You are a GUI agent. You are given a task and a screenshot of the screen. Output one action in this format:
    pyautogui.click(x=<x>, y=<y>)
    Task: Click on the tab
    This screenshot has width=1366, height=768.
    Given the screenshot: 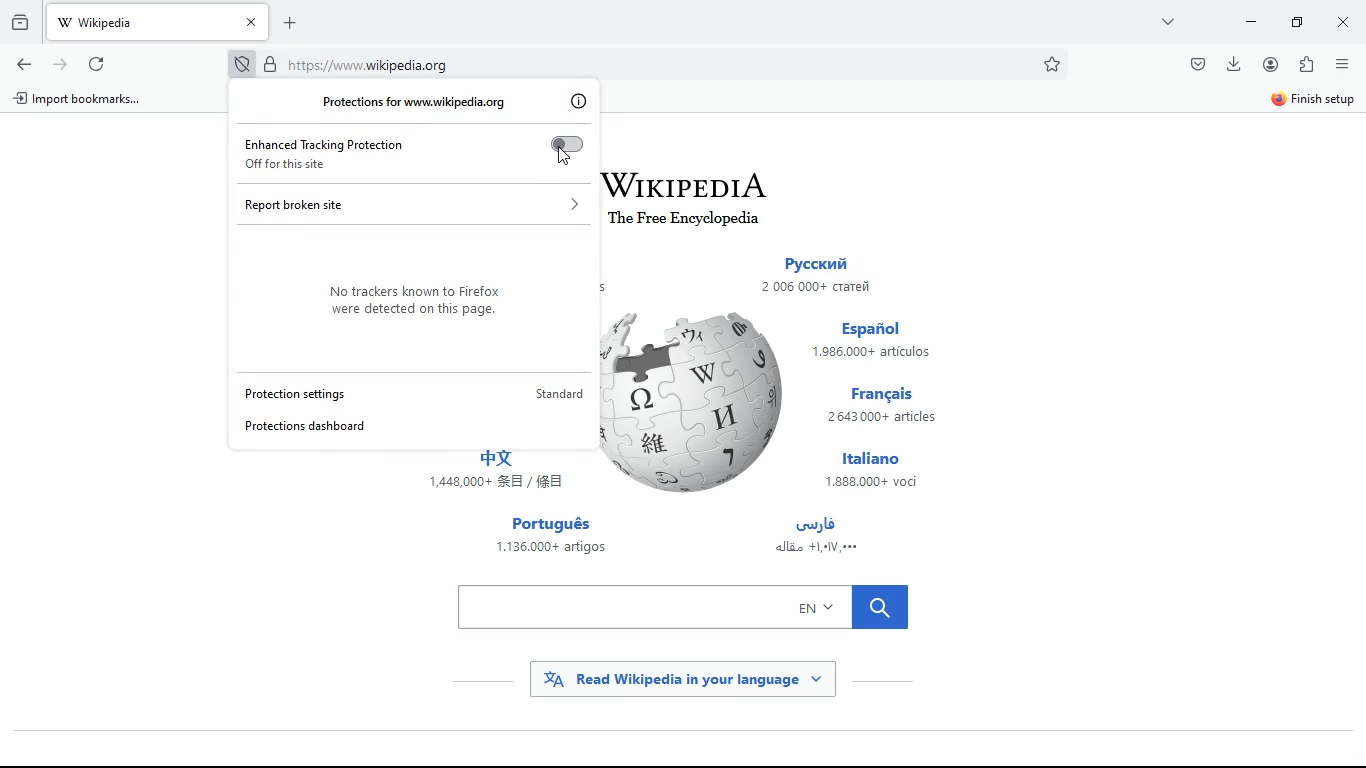 What is the action you would take?
    pyautogui.click(x=158, y=22)
    